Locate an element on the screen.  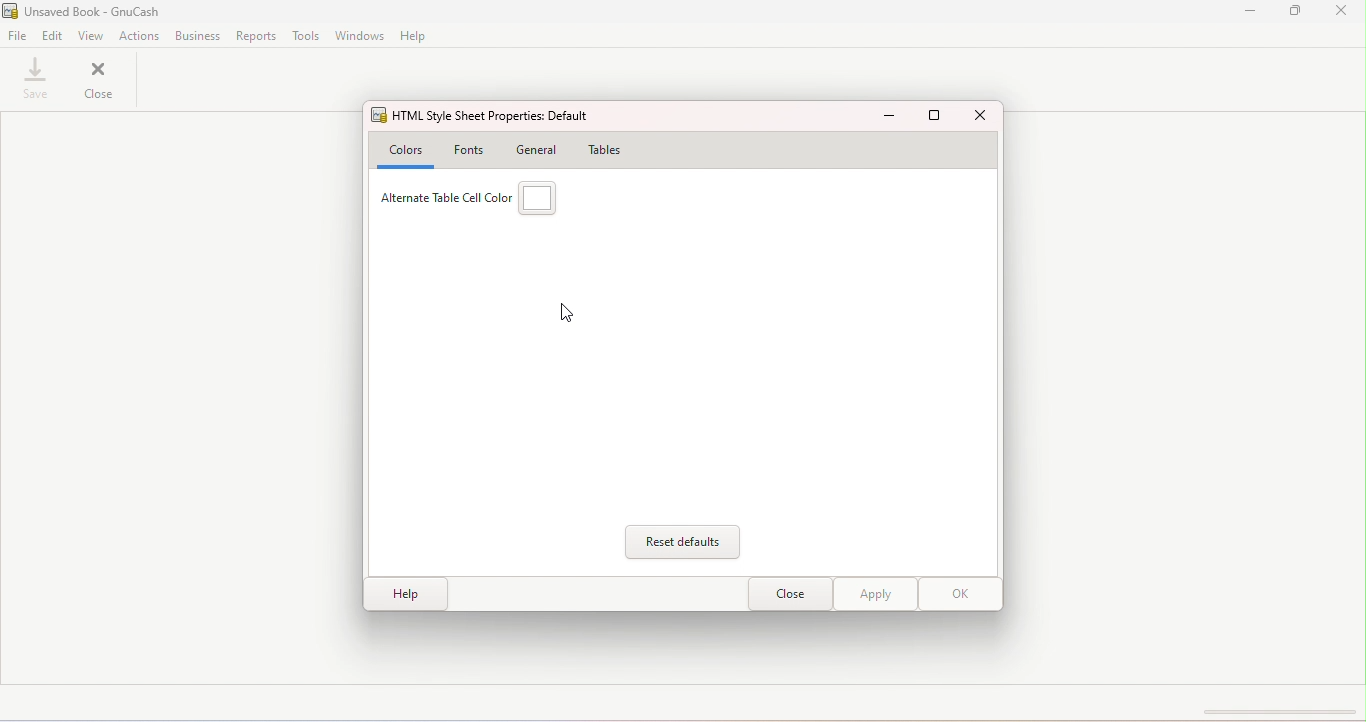
Close is located at coordinates (104, 85).